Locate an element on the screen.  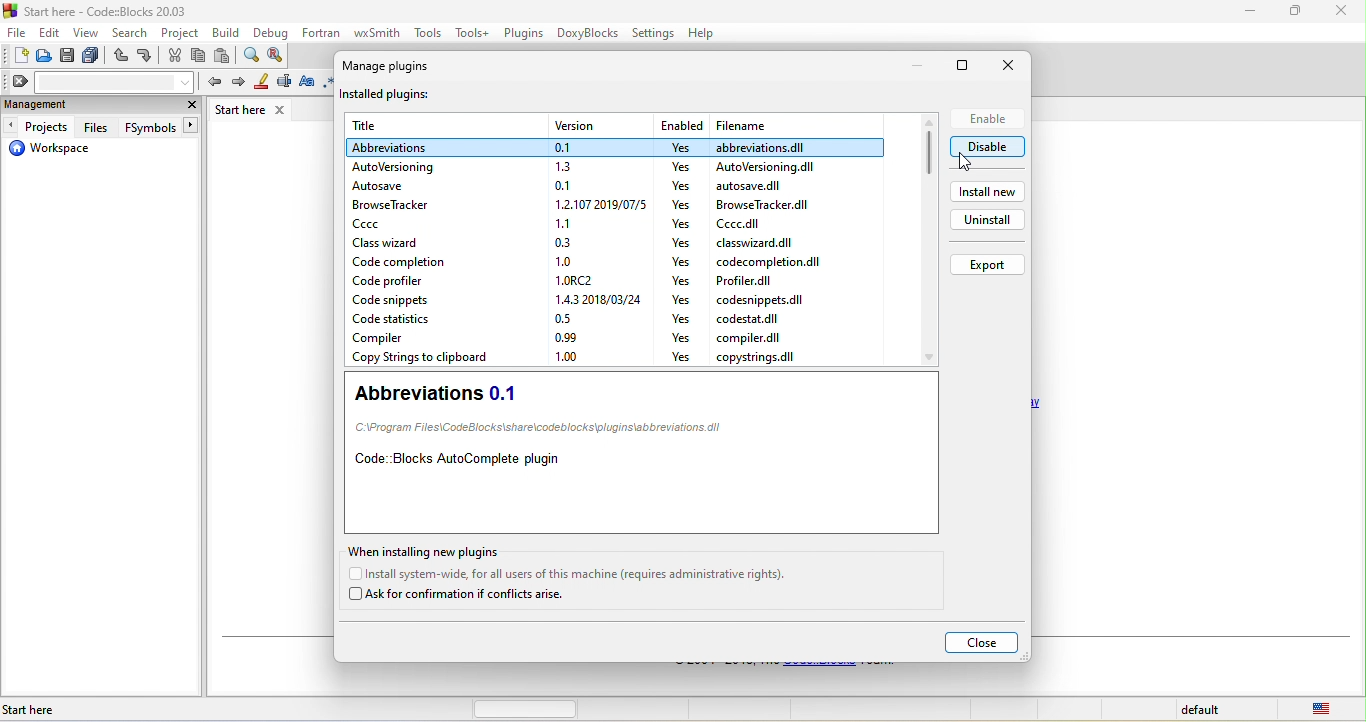
browse tracker is located at coordinates (403, 206).